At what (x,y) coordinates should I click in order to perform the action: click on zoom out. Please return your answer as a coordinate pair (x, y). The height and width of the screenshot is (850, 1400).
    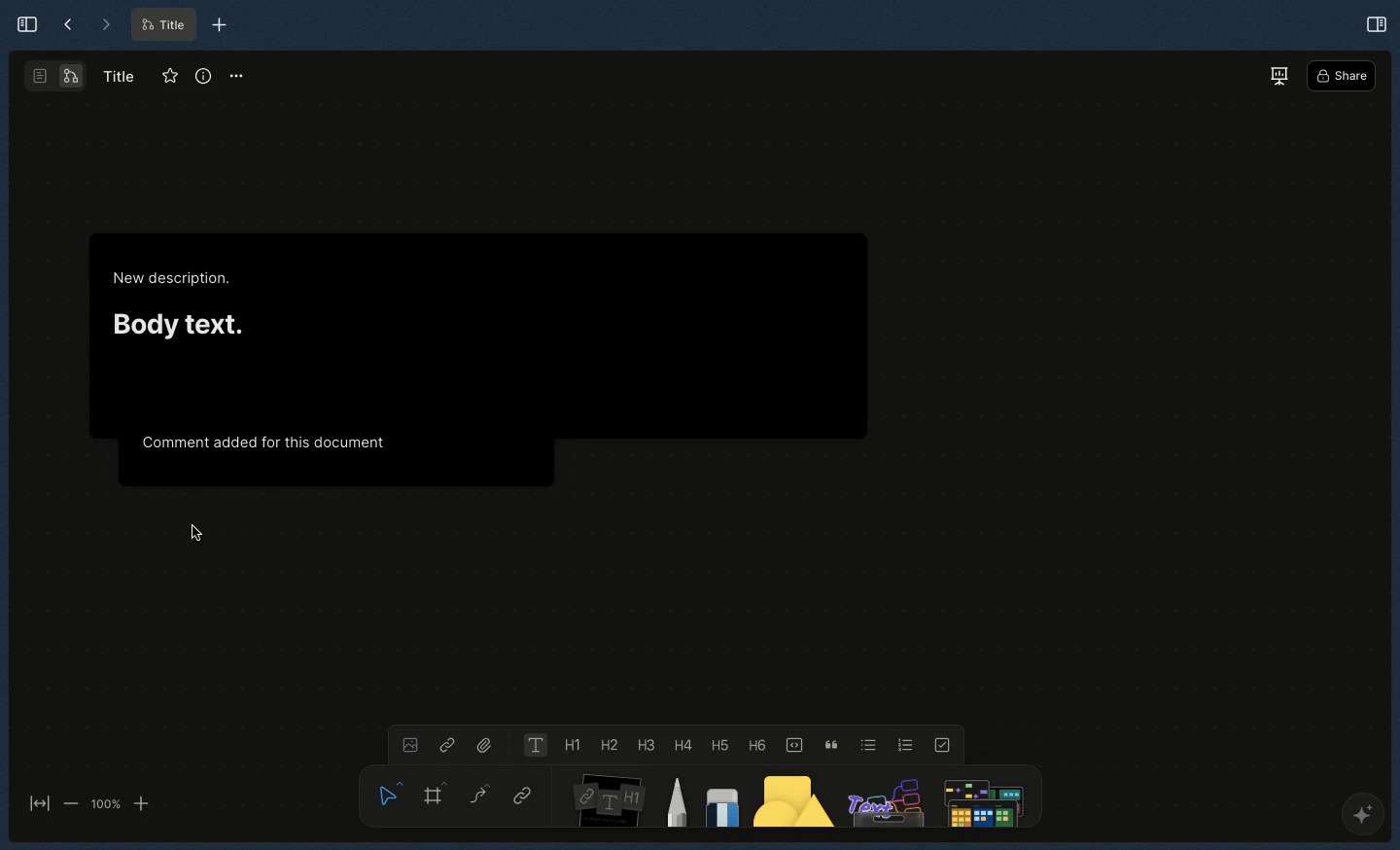
    Looking at the image, I should click on (70, 802).